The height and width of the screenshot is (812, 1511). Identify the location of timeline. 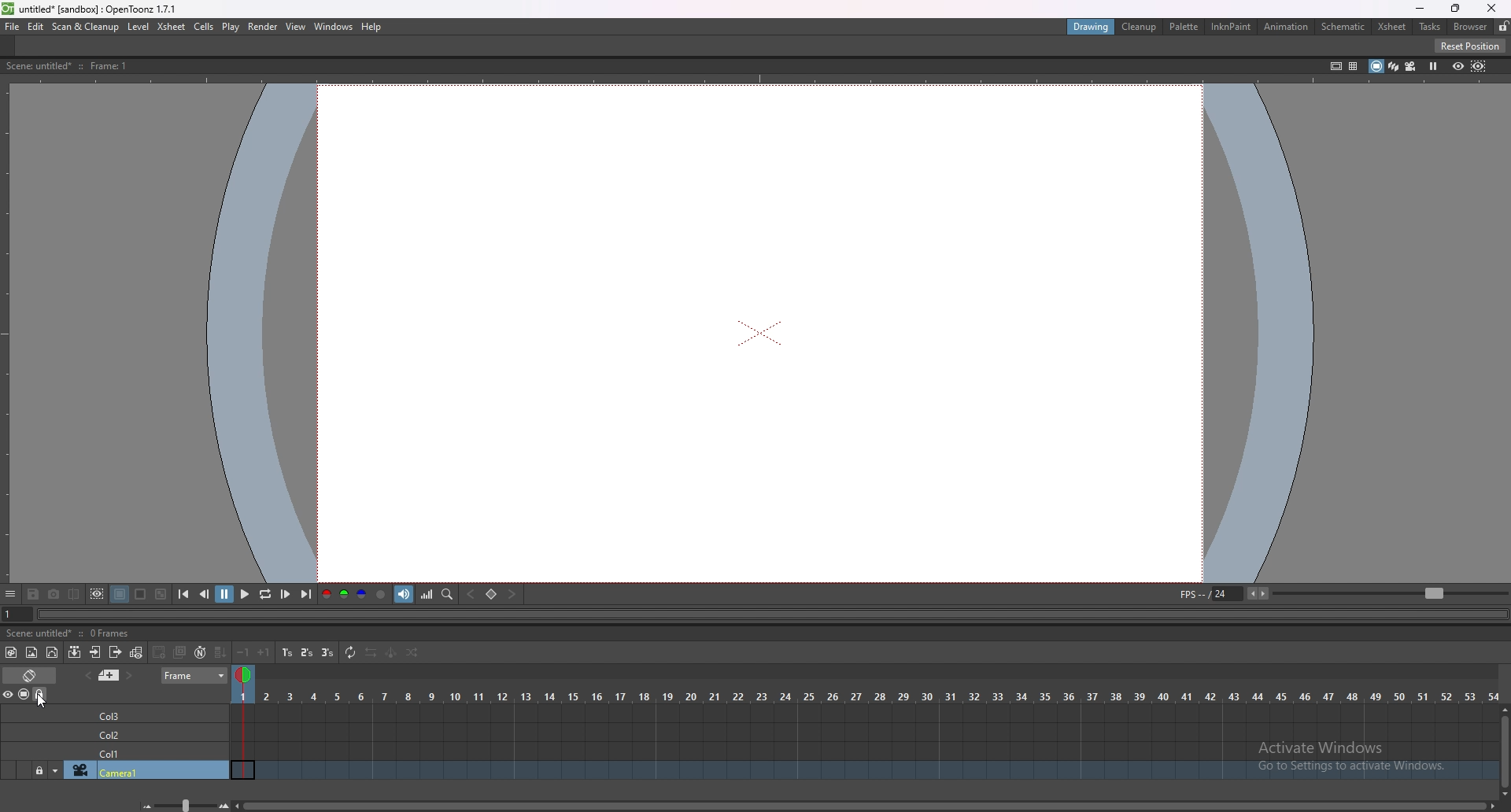
(861, 712).